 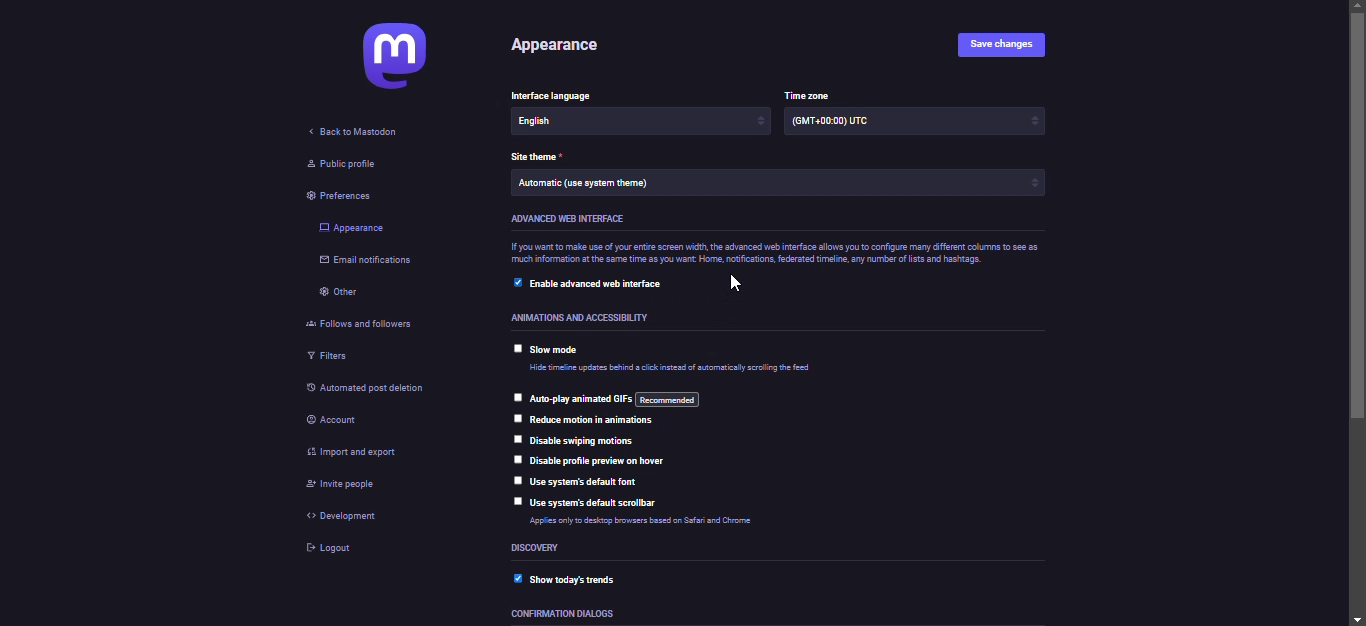 I want to click on enabled, so click(x=512, y=579).